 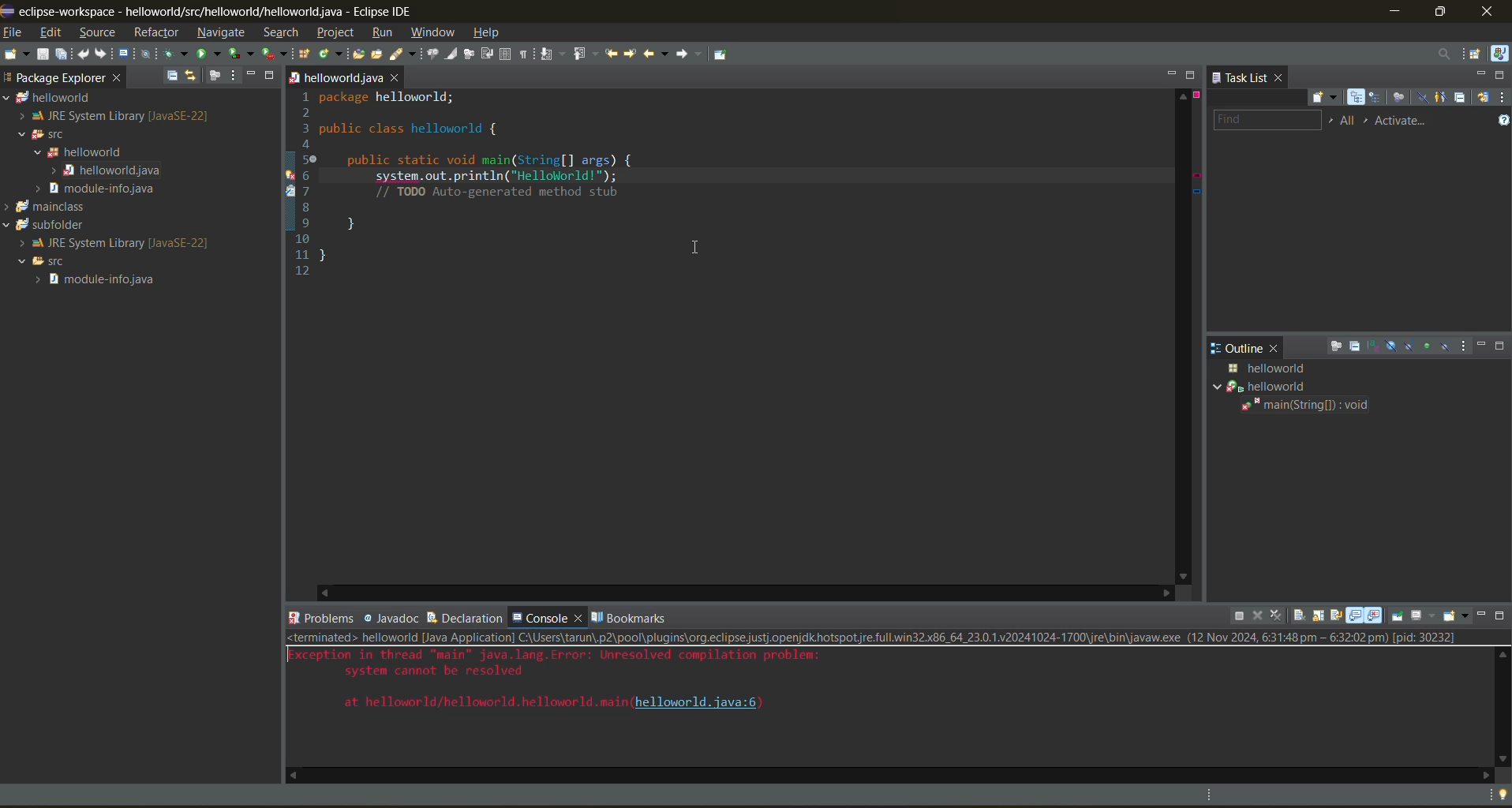 What do you see at coordinates (1503, 99) in the screenshot?
I see `view menu` at bounding box center [1503, 99].